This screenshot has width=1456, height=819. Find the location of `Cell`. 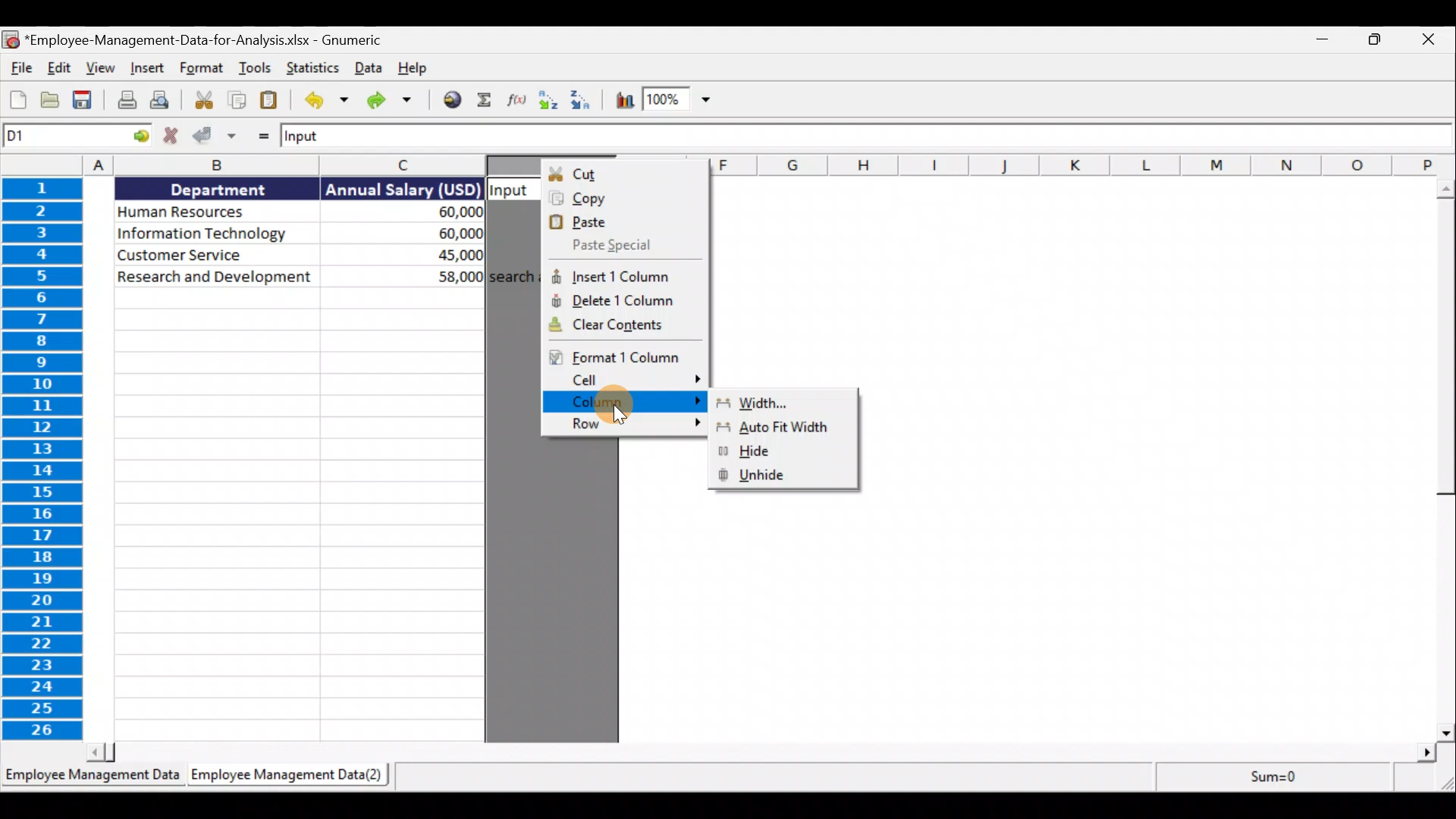

Cell is located at coordinates (626, 381).